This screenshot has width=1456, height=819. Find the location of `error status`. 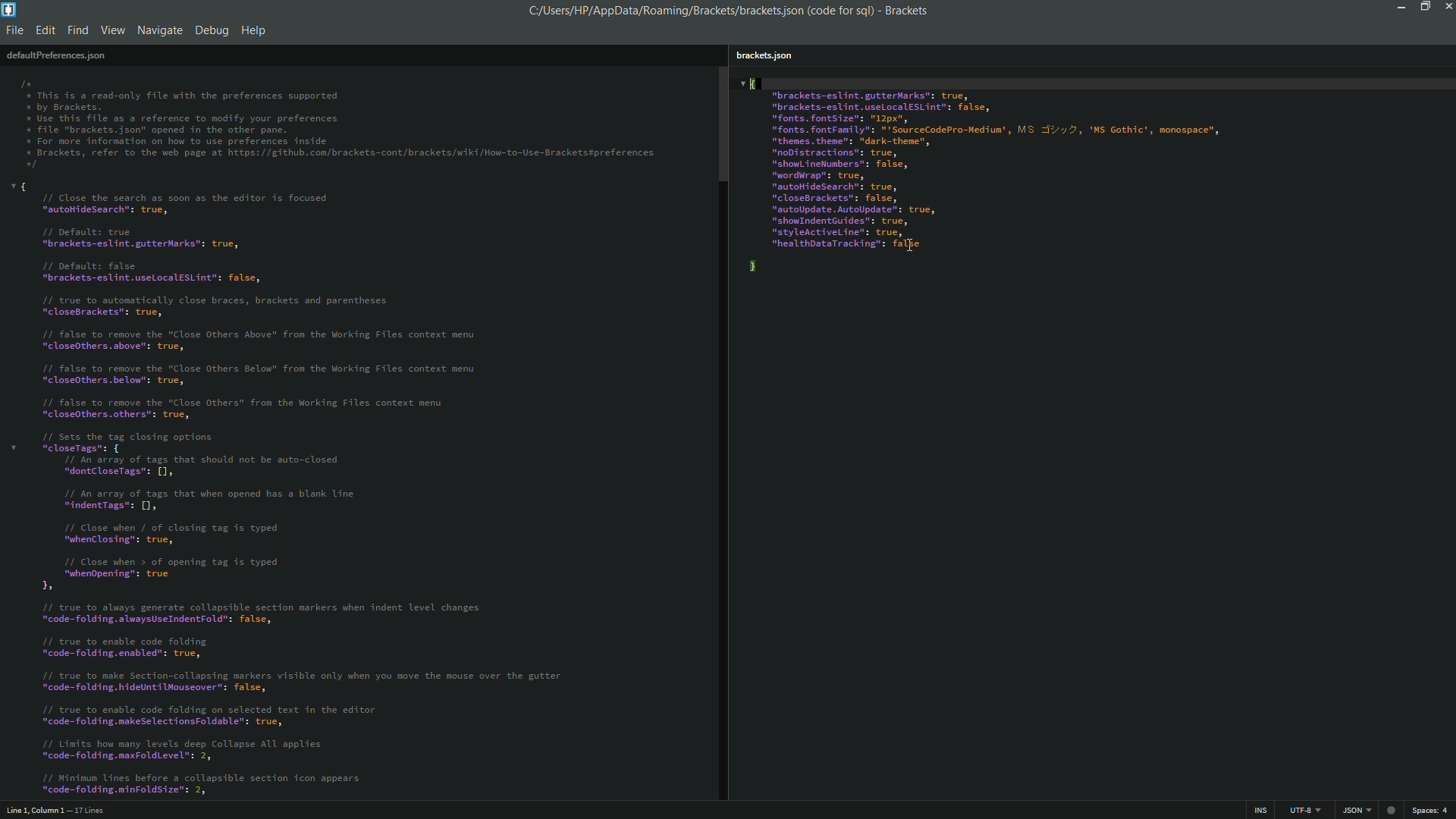

error status is located at coordinates (1390, 810).